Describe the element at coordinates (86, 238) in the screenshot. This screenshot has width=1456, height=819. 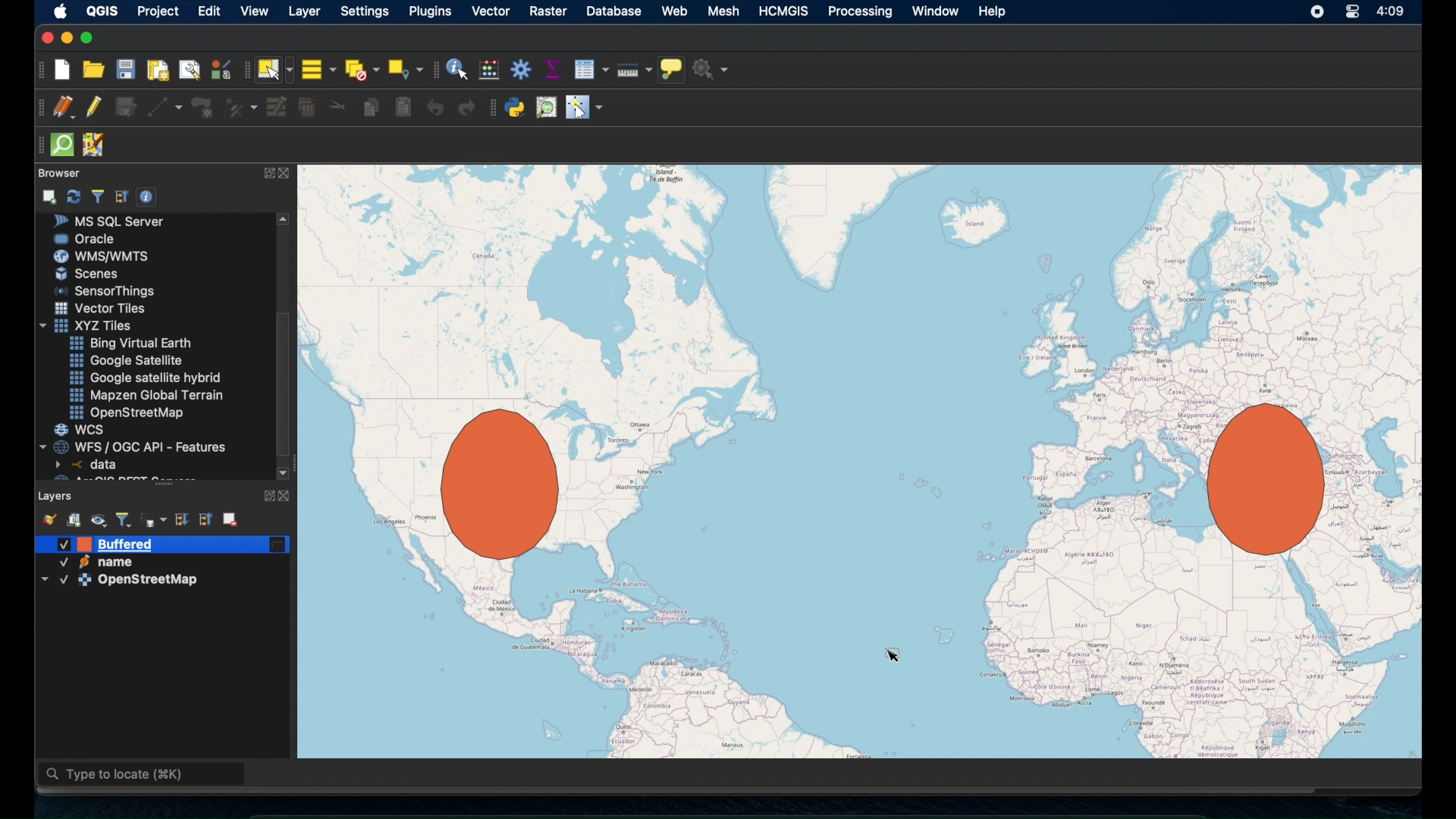
I see `oracle` at that location.